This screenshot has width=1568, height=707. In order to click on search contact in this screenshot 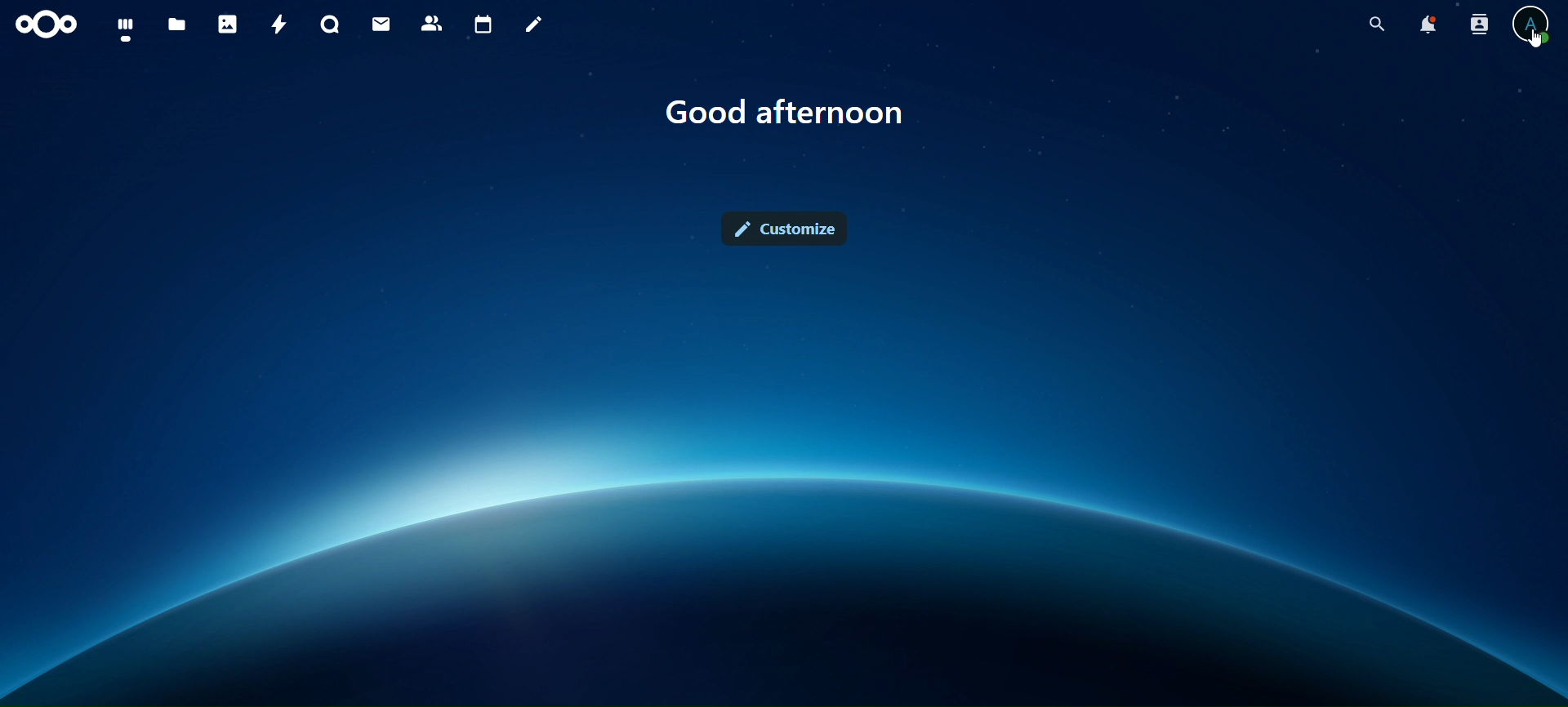, I will do `click(1477, 23)`.